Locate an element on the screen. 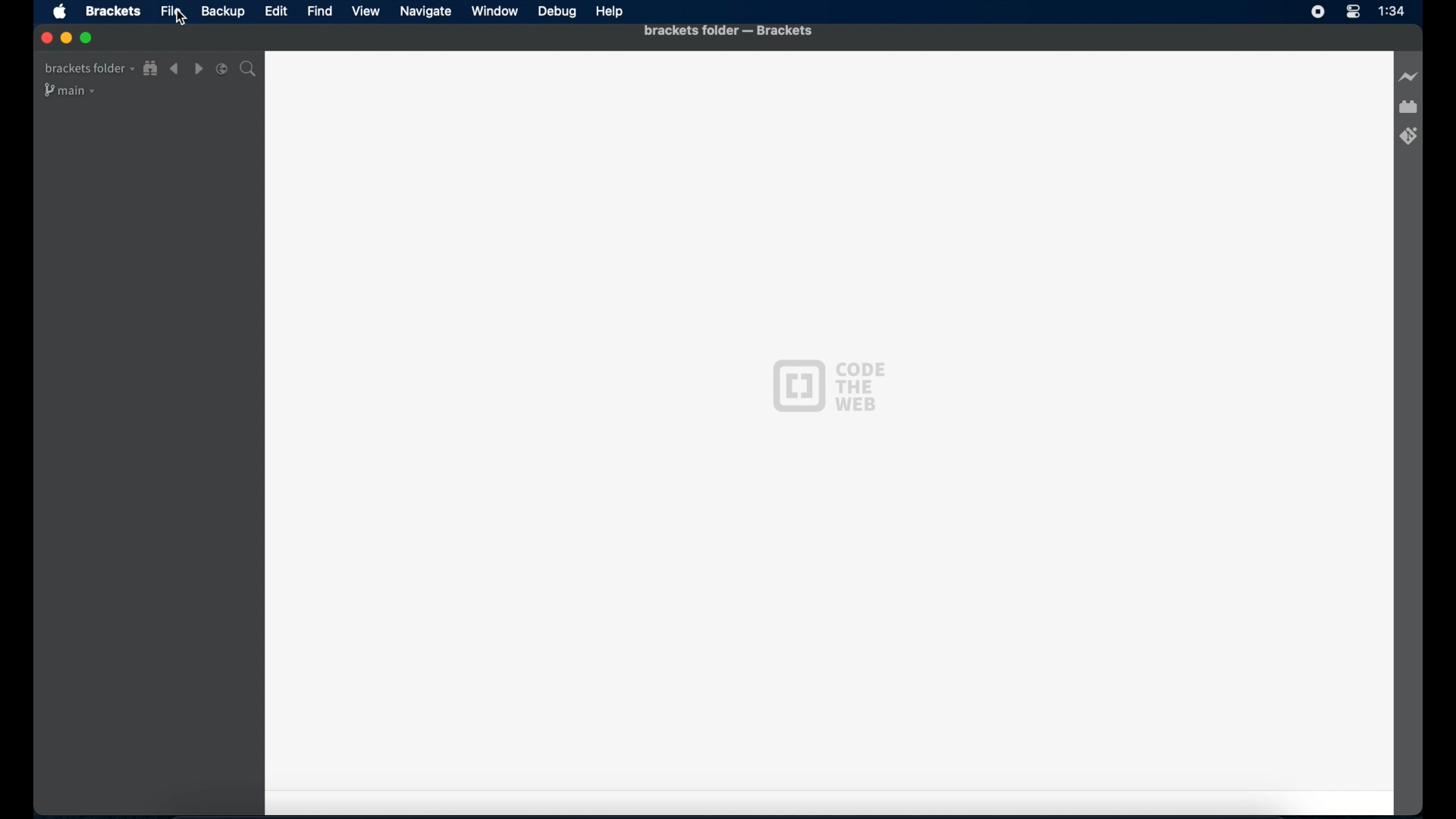 The image size is (1456, 819). Split editor vertical or horizontal is located at coordinates (222, 70).